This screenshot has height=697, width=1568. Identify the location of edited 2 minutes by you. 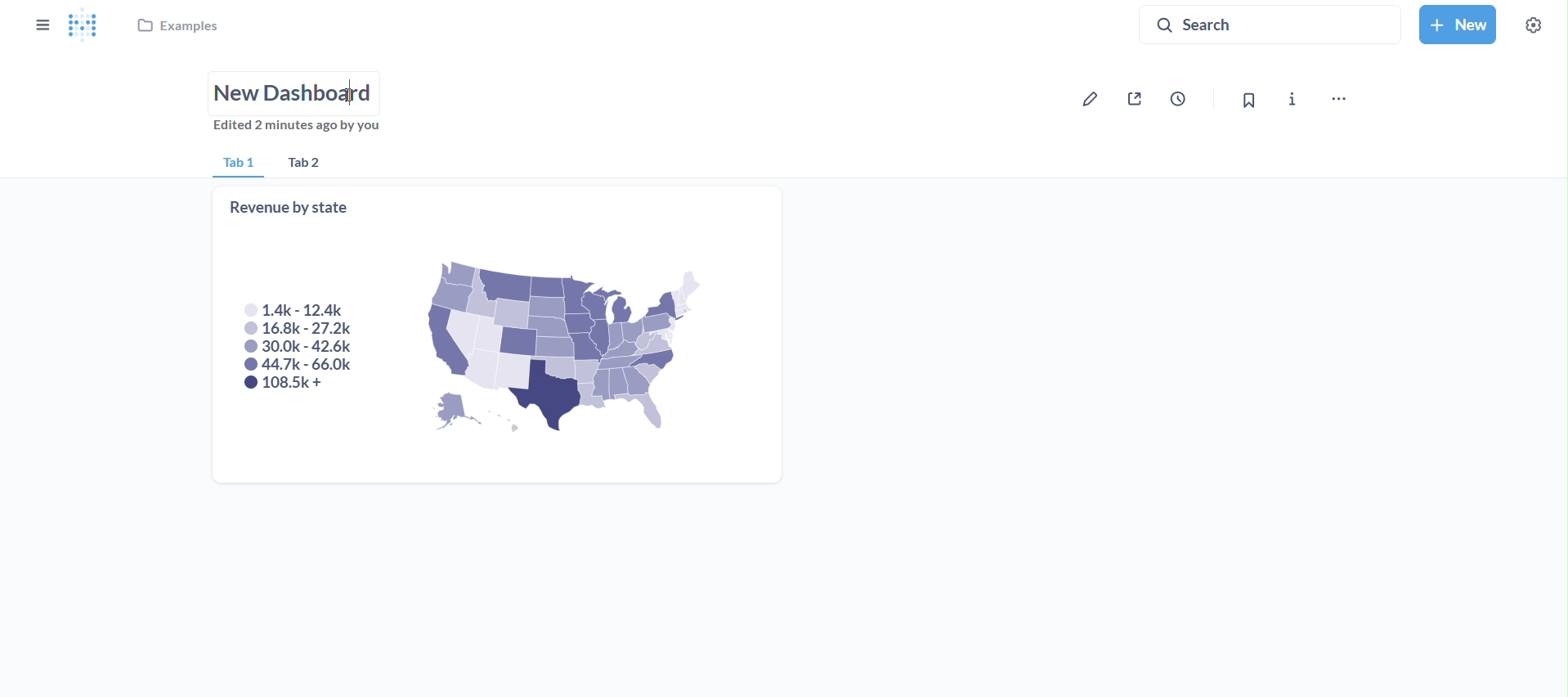
(301, 125).